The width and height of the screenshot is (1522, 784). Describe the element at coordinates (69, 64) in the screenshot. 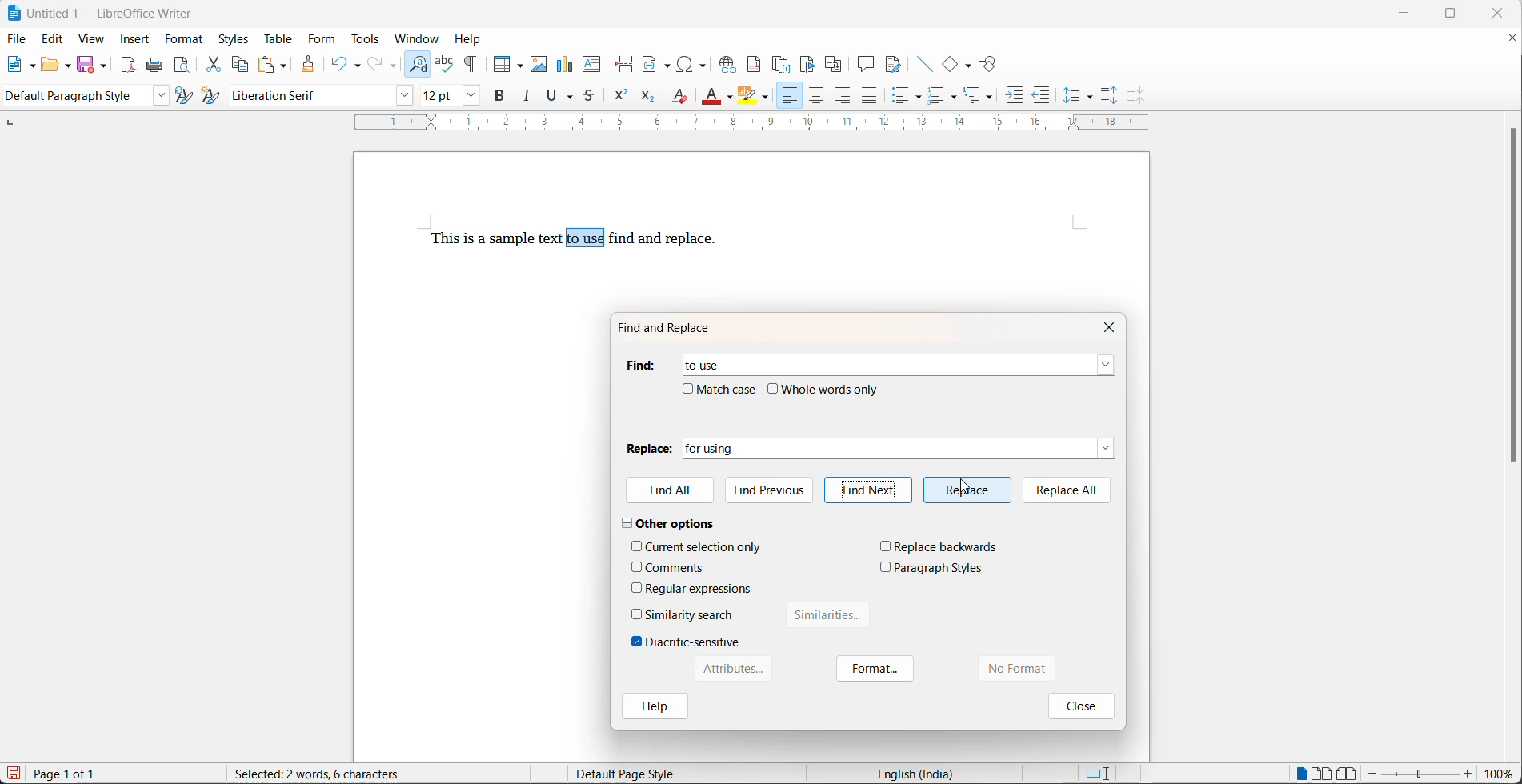

I see `open options` at that location.